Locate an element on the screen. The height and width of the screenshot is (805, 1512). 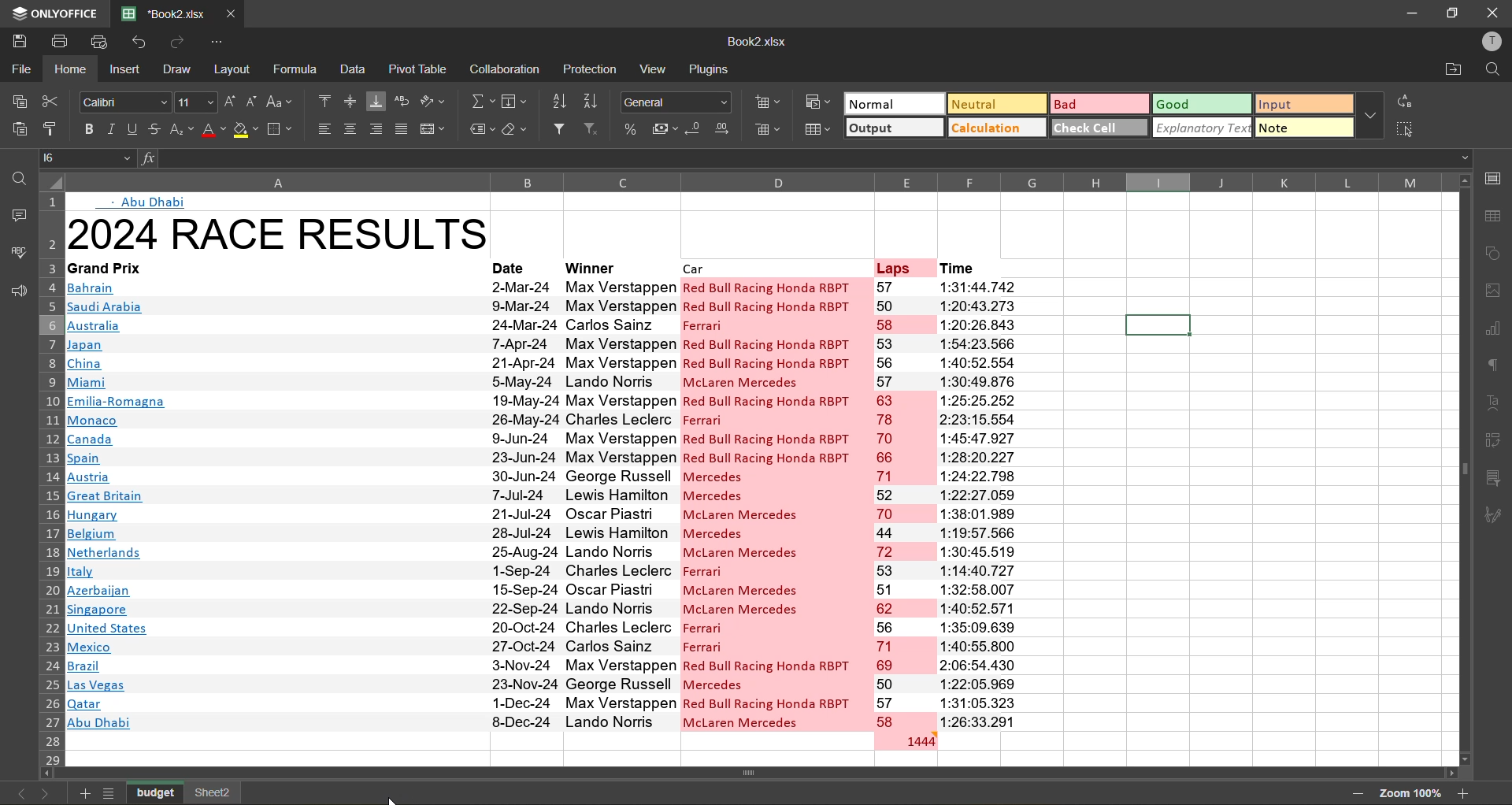
quick print is located at coordinates (104, 43).